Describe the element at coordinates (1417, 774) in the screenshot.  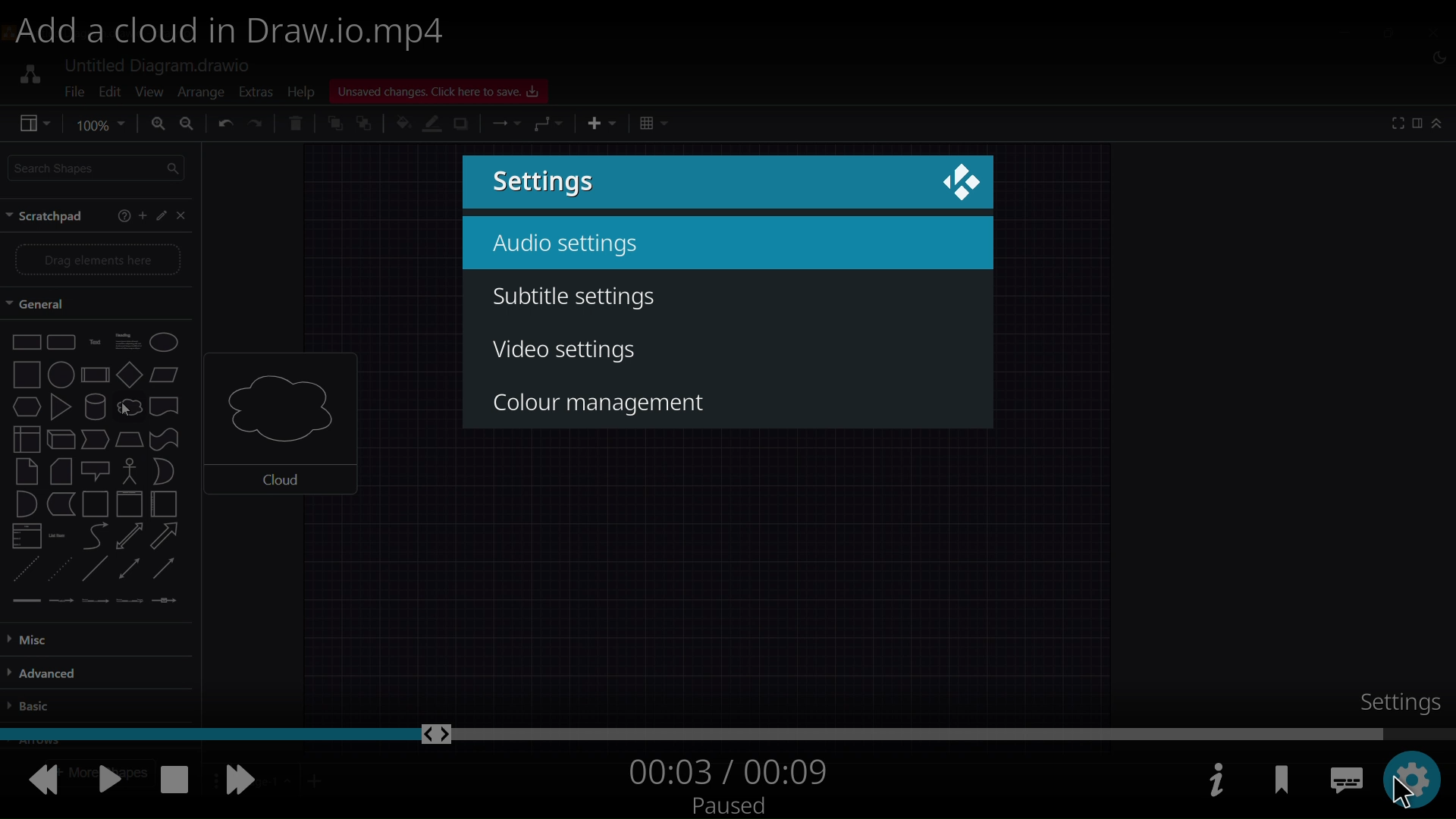
I see `setting` at that location.